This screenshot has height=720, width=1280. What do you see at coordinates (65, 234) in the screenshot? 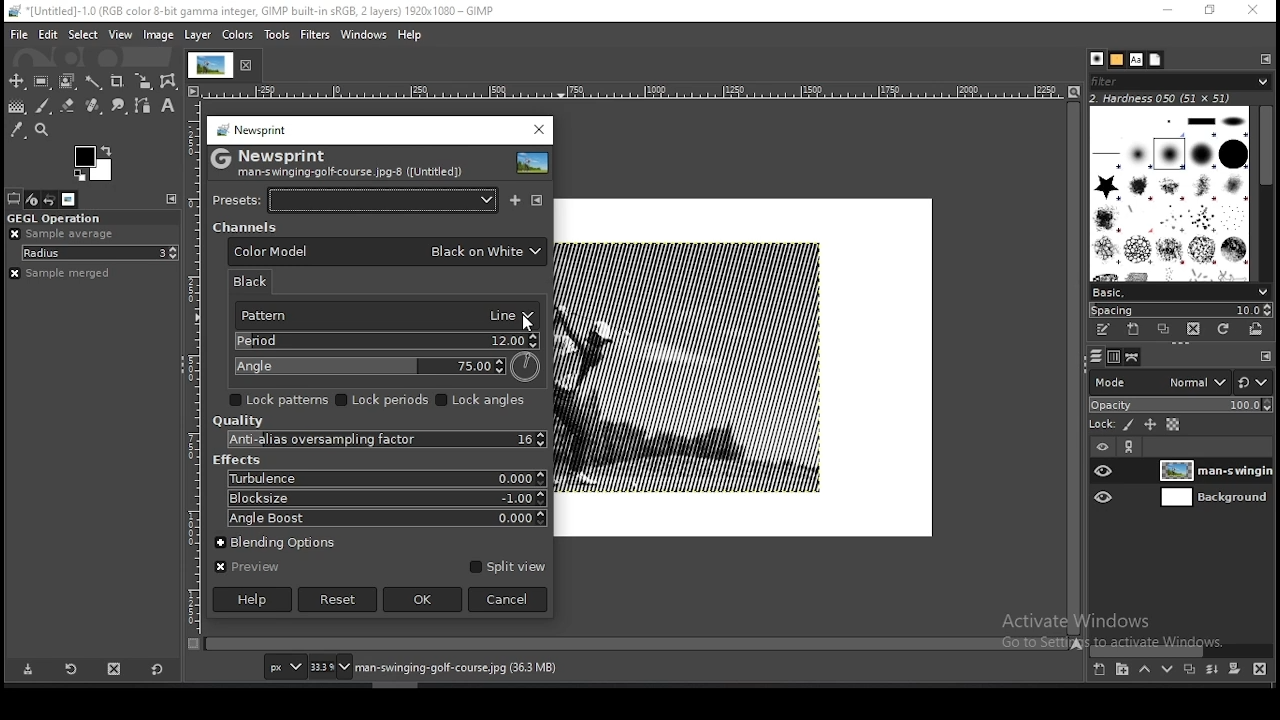
I see `sample average` at bounding box center [65, 234].